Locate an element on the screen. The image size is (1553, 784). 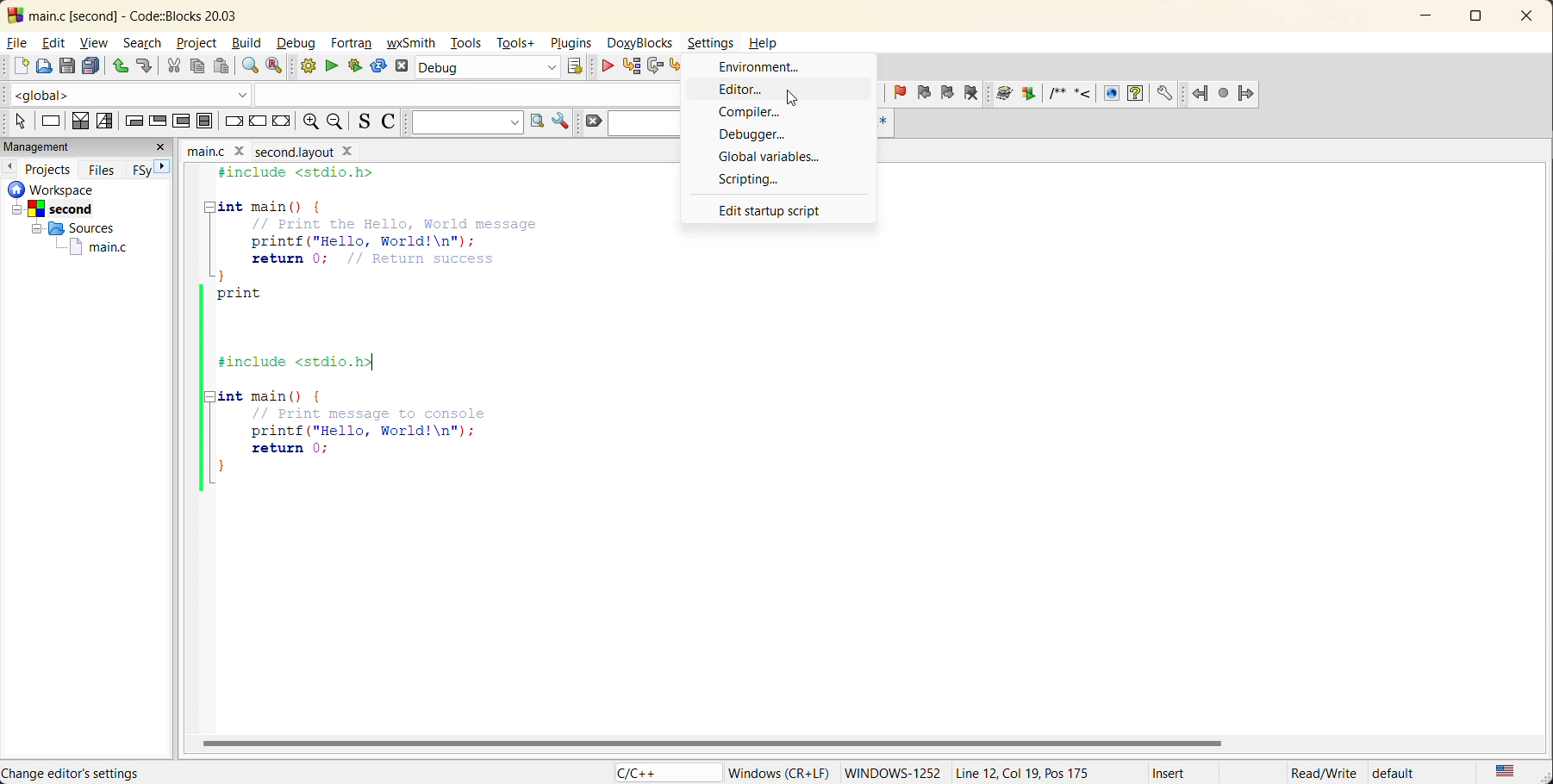
view is located at coordinates (92, 42).